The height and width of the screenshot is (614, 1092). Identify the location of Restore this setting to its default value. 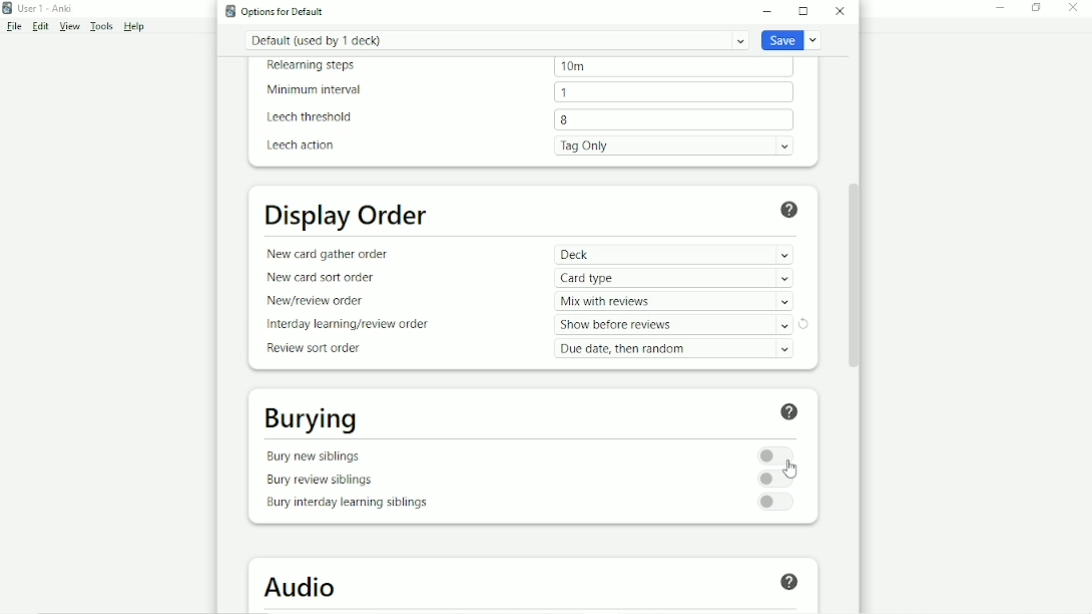
(804, 324).